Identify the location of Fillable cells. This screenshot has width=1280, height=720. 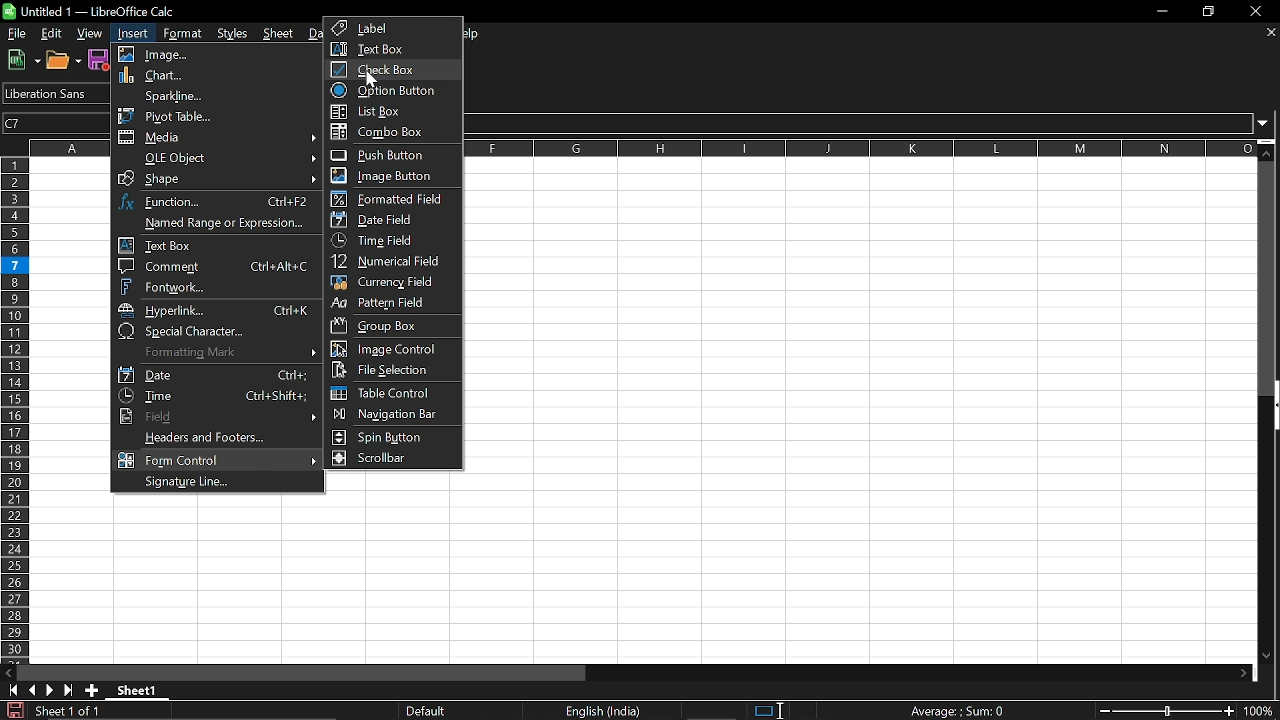
(70, 410).